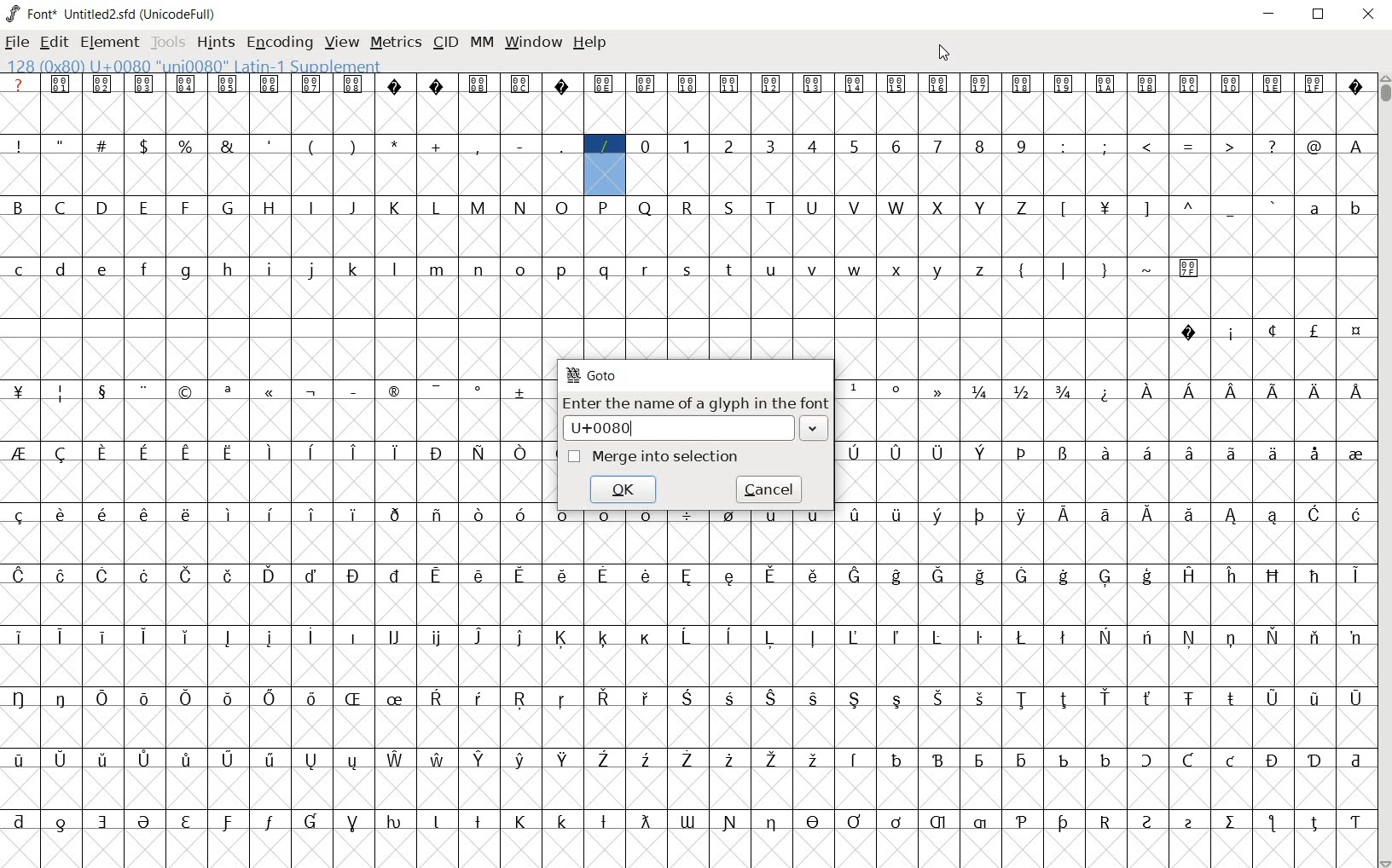 The height and width of the screenshot is (868, 1392). I want to click on glyph, so click(520, 760).